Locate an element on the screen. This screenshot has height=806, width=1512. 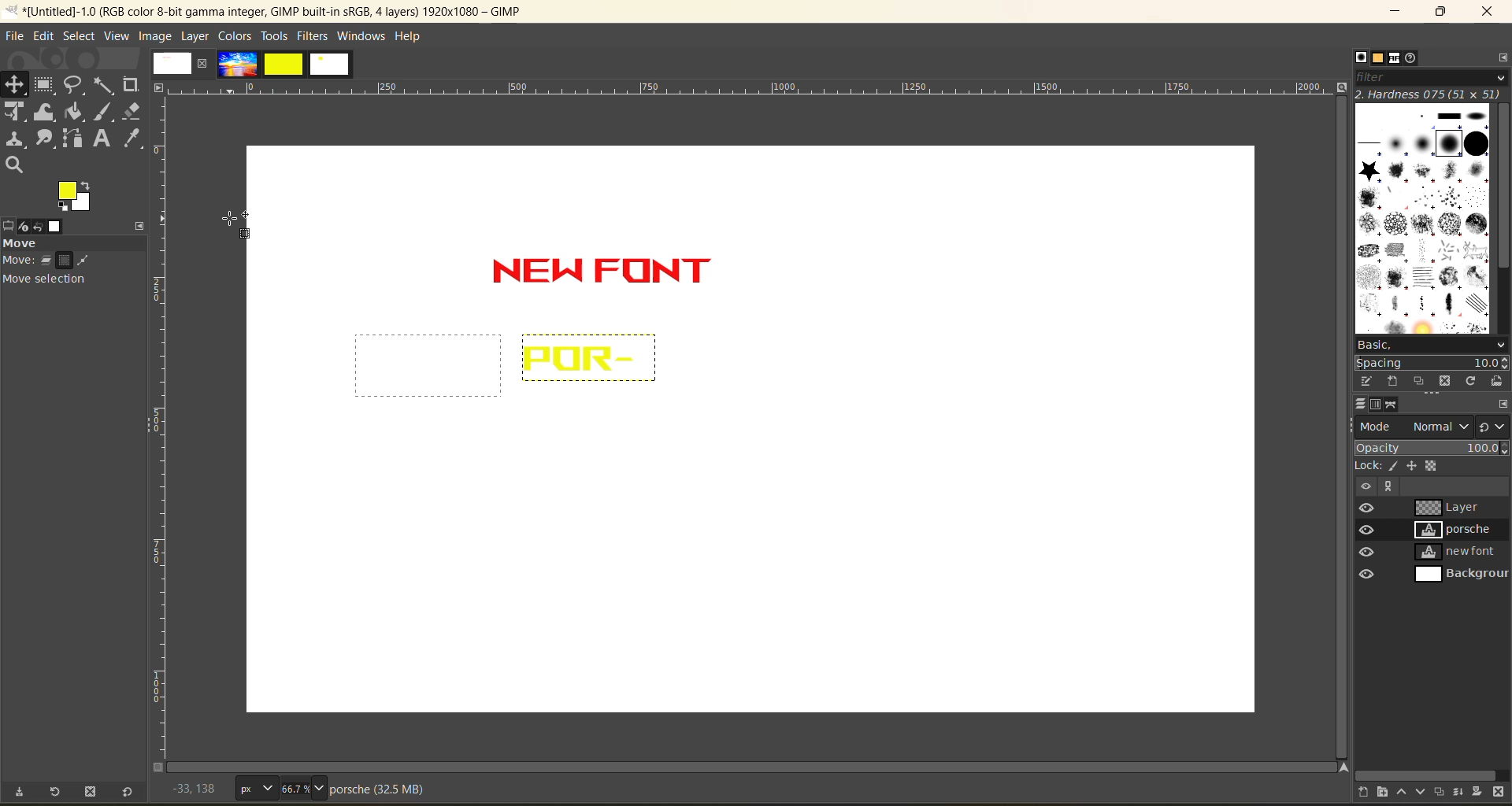
search tool is located at coordinates (18, 166).